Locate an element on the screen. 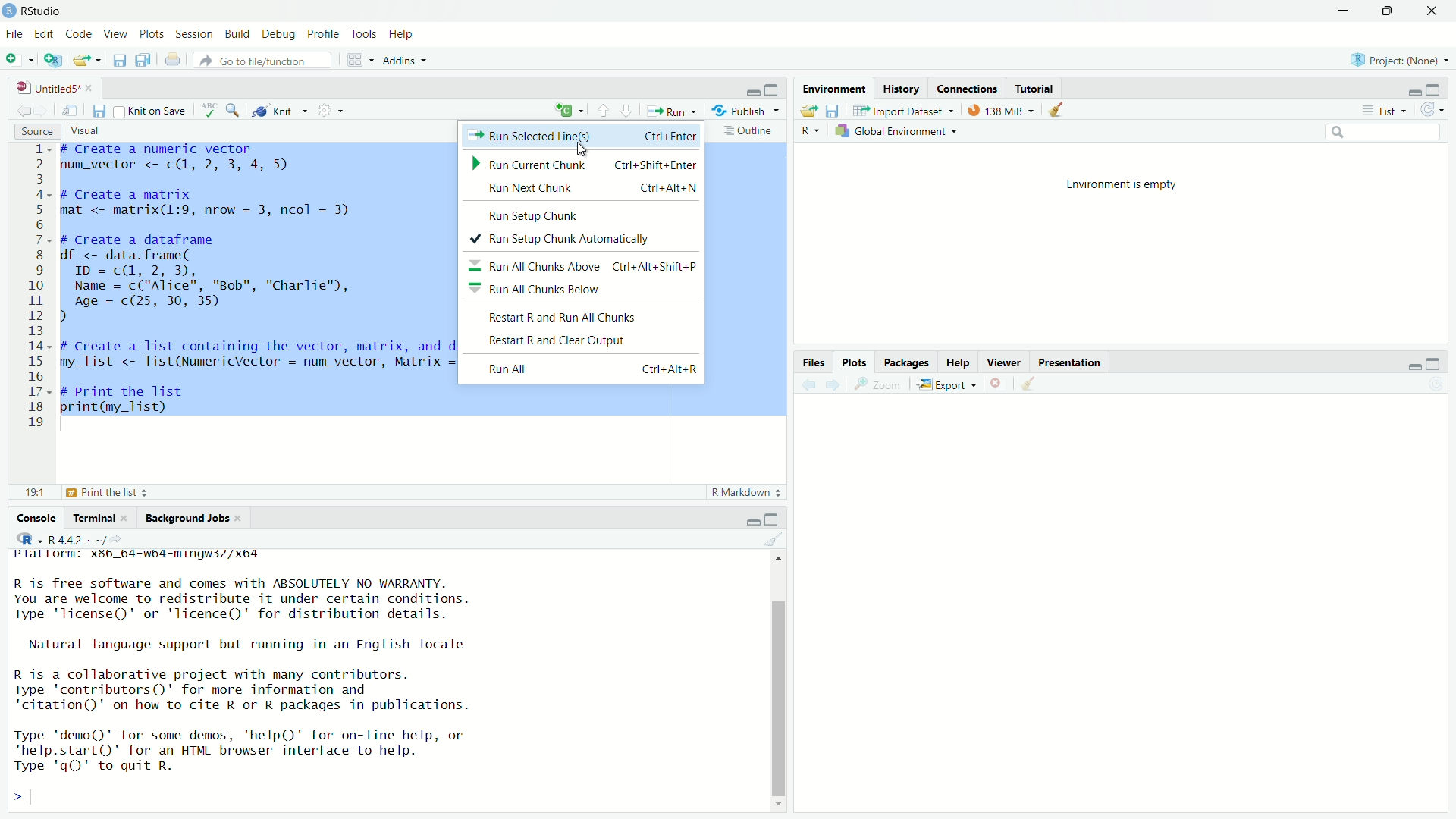  grid is located at coordinates (358, 60).